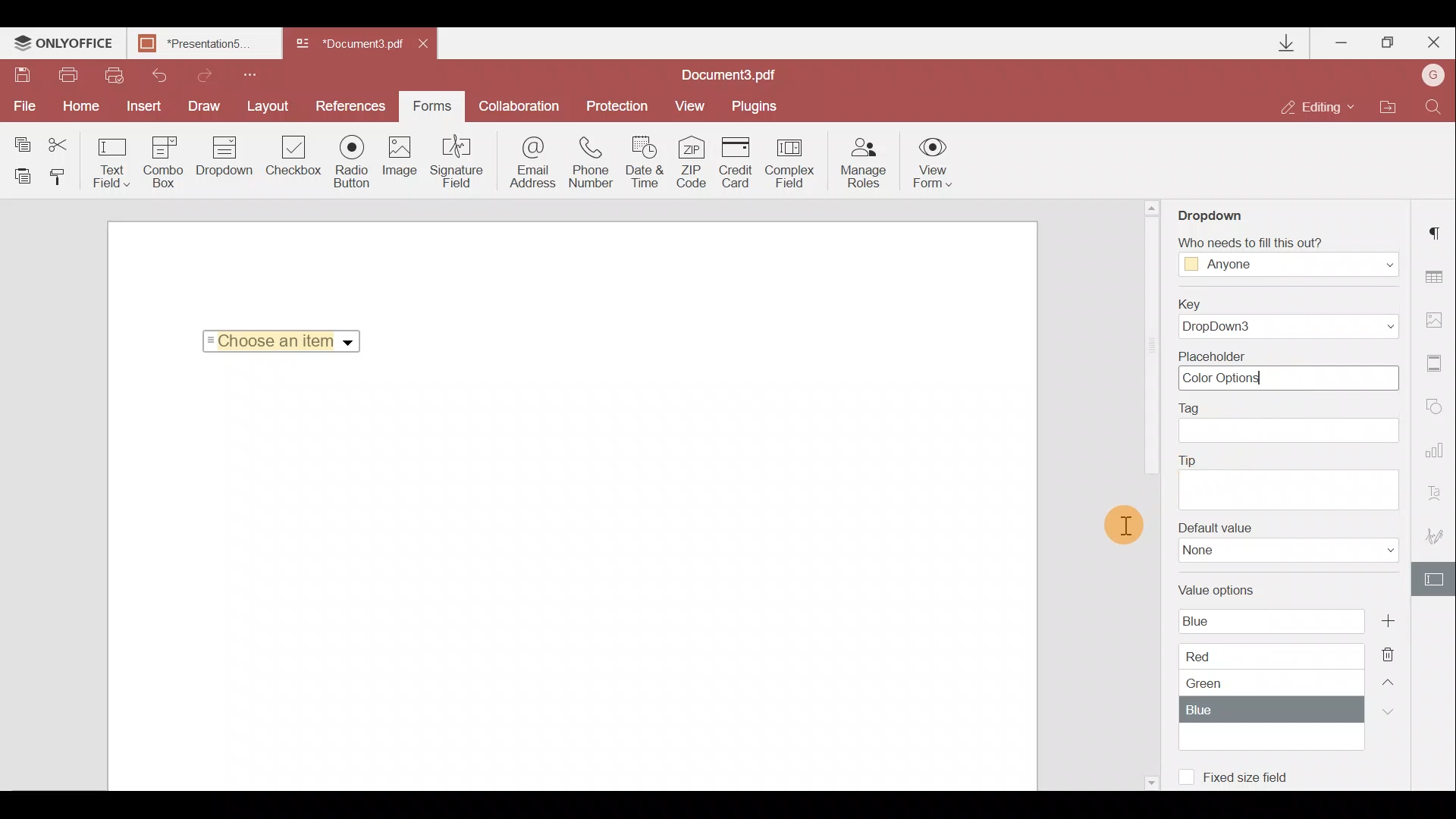  I want to click on Forms, so click(432, 106).